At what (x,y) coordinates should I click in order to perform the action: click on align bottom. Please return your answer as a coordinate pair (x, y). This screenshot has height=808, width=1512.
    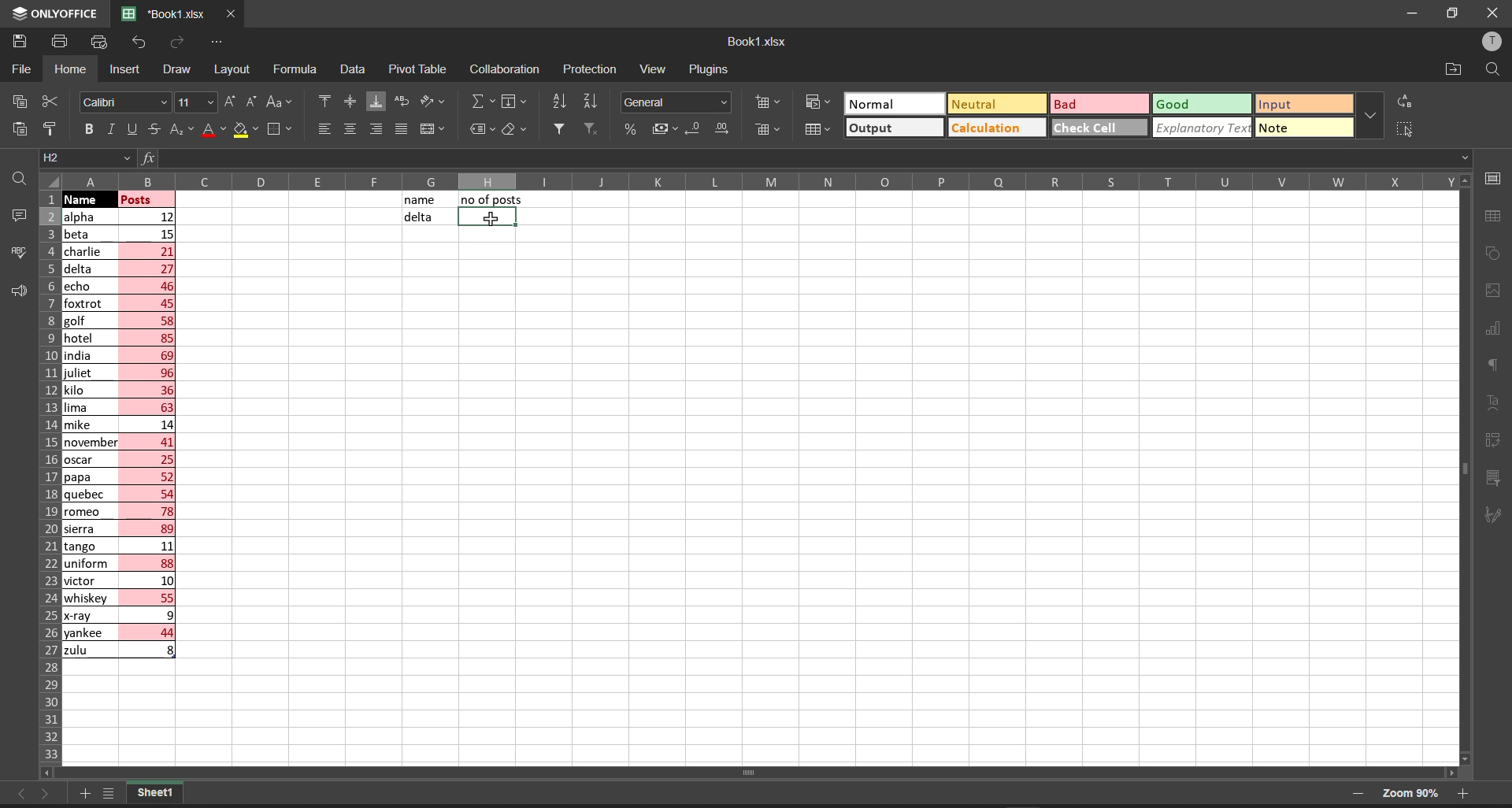
    Looking at the image, I should click on (376, 101).